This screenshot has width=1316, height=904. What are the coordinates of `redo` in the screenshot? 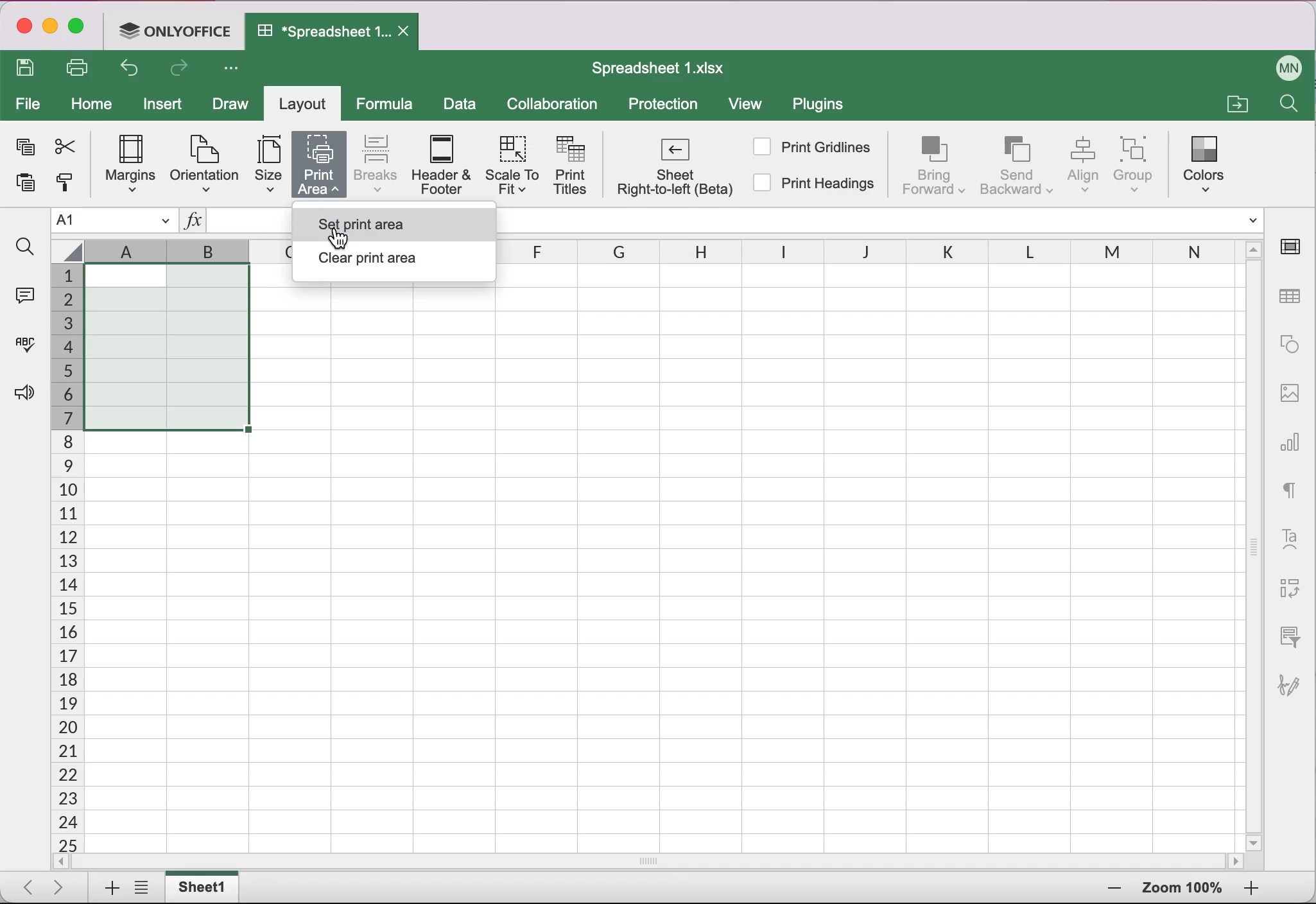 It's located at (182, 71).